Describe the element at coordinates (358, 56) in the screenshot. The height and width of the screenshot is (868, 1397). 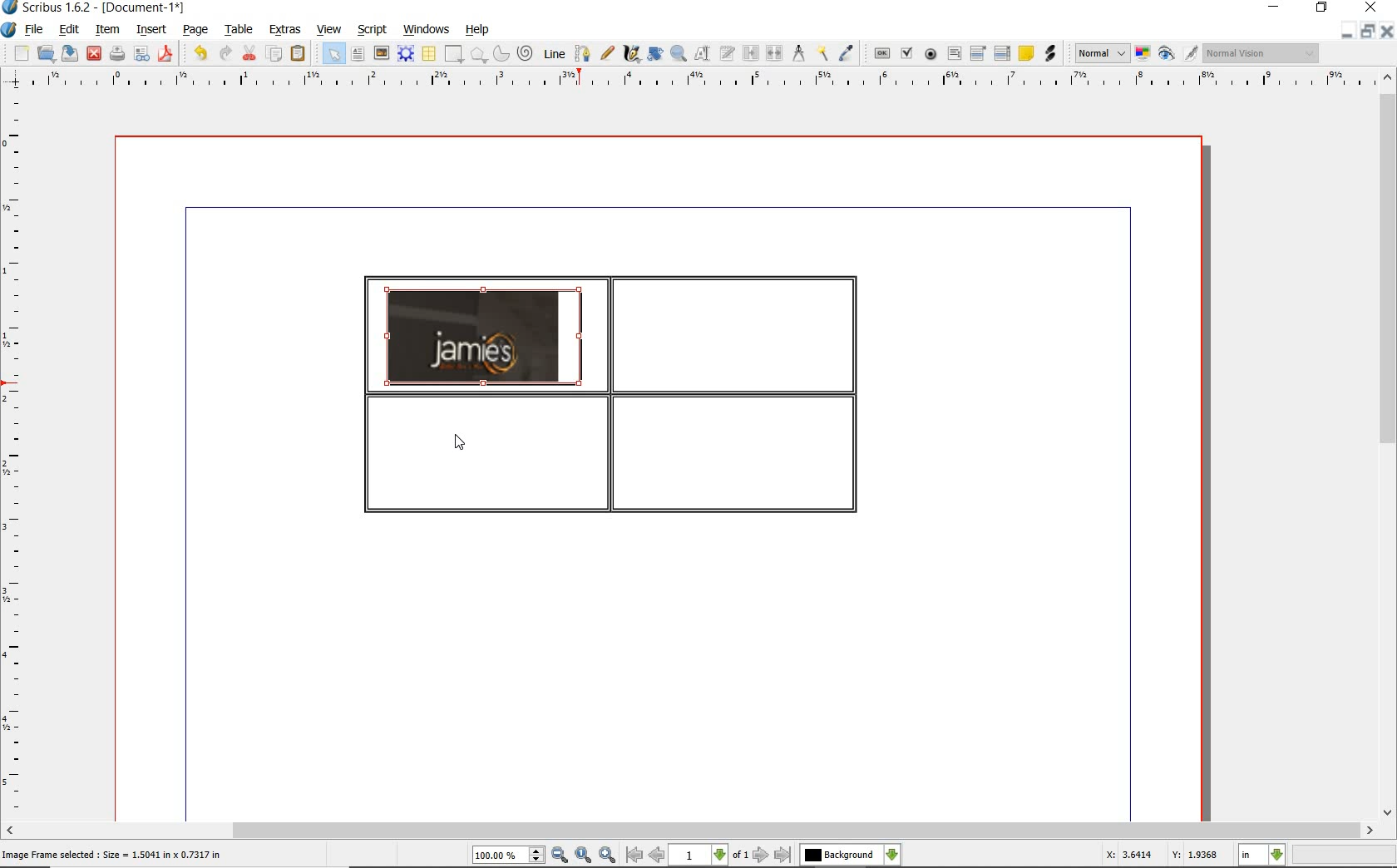
I see `text frame` at that location.